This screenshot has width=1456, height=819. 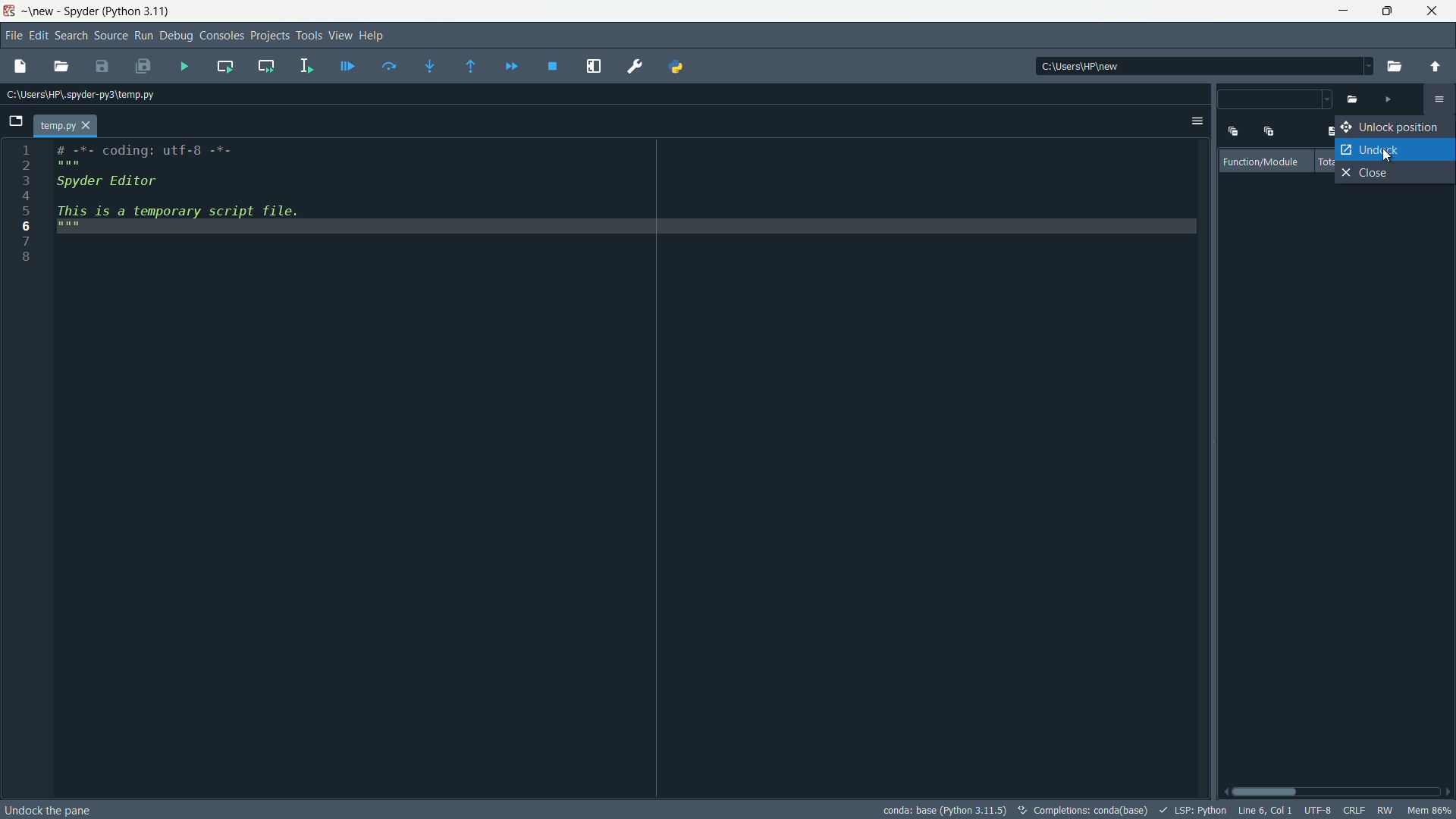 What do you see at coordinates (308, 36) in the screenshot?
I see `tools menu` at bounding box center [308, 36].